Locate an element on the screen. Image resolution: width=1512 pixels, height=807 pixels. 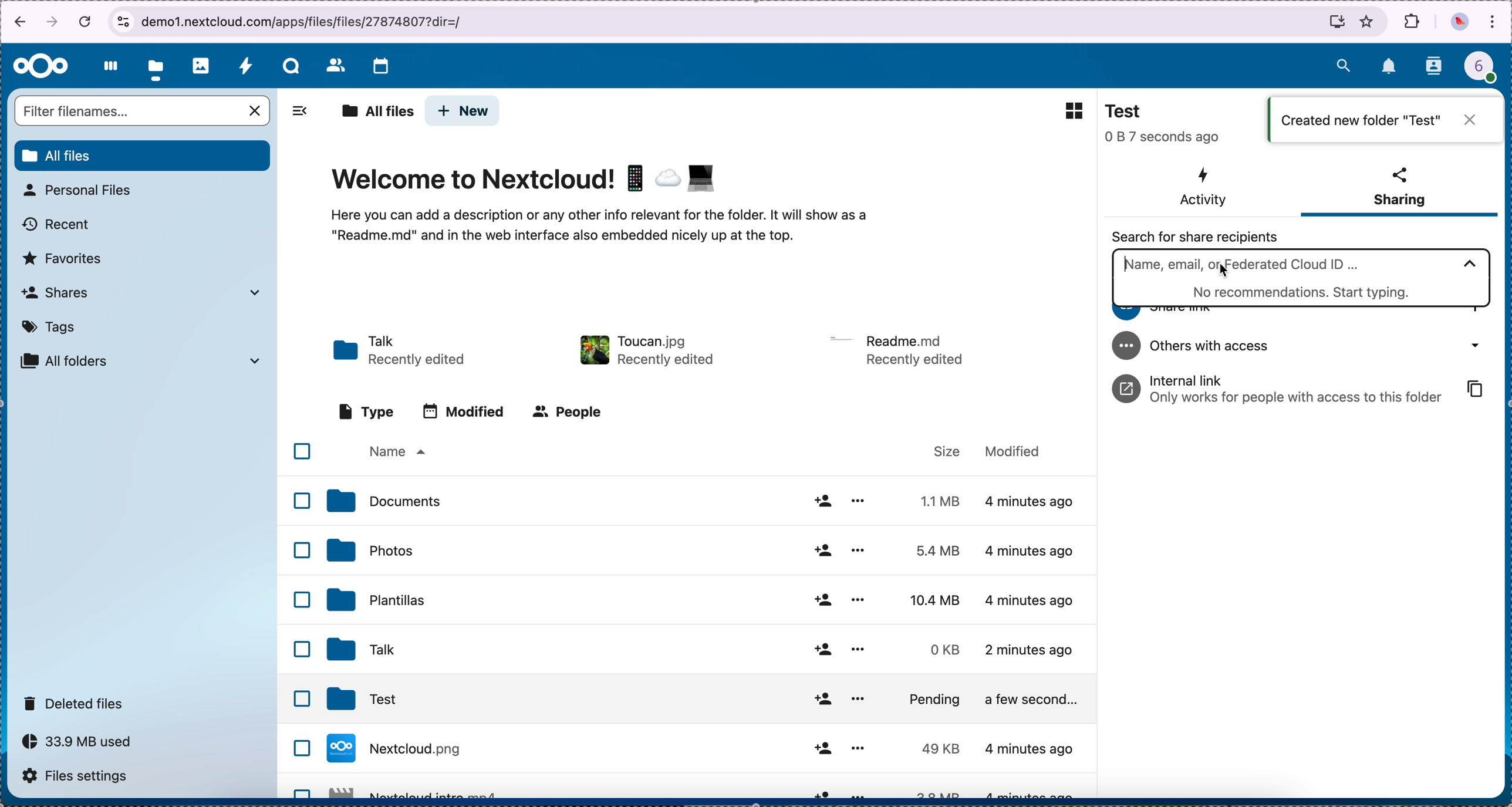
size is located at coordinates (948, 450).